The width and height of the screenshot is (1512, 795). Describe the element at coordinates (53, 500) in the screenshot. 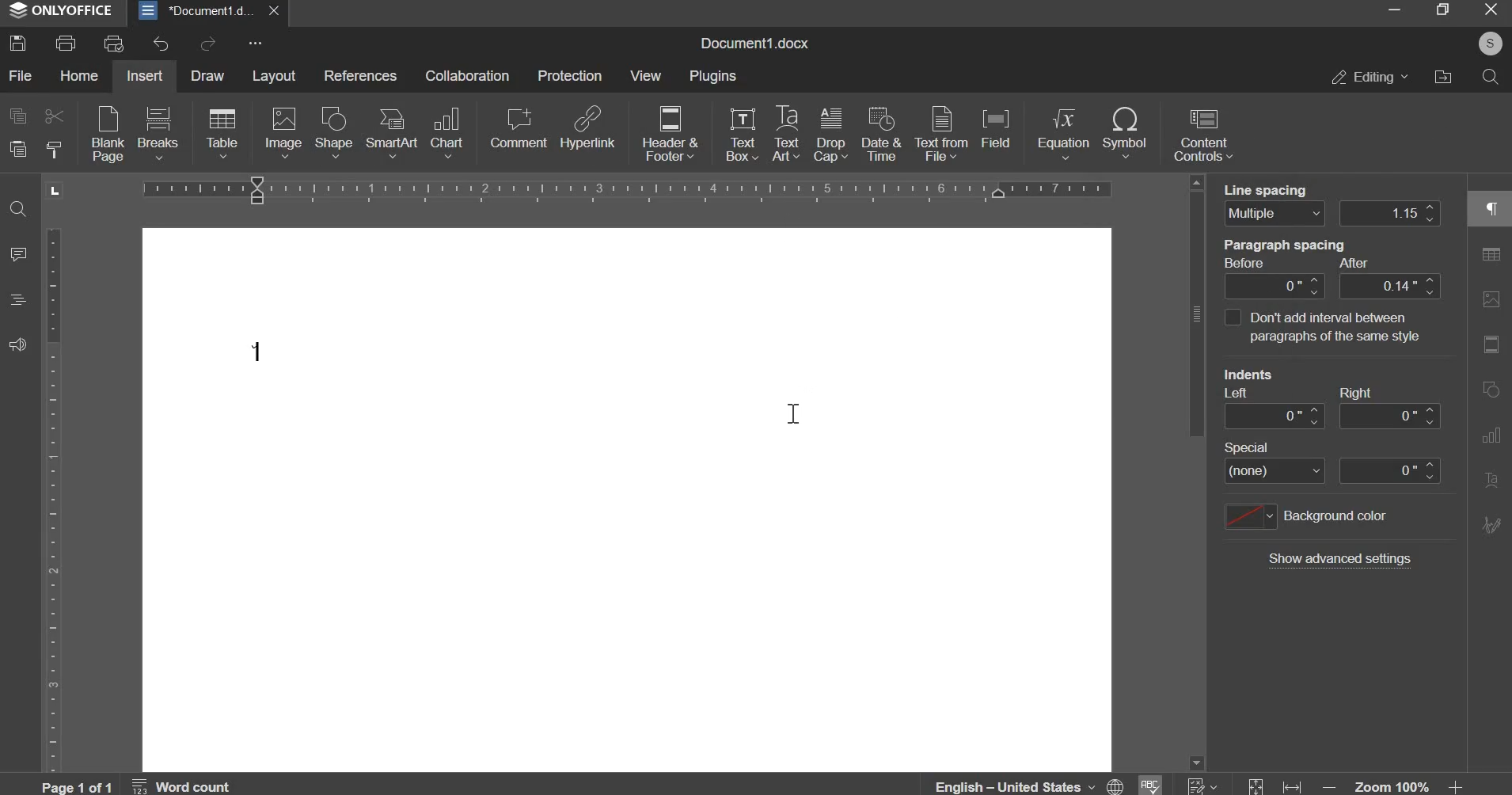

I see `vertical scale` at that location.